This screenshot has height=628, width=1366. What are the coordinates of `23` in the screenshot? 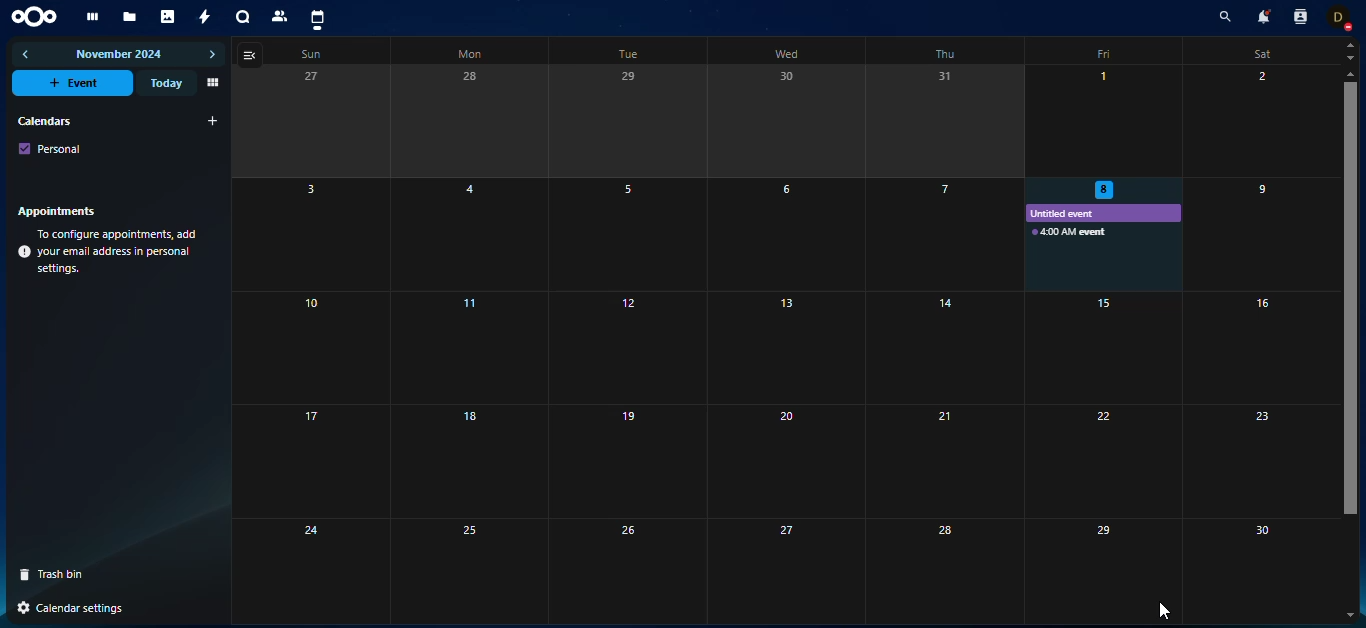 It's located at (1262, 462).